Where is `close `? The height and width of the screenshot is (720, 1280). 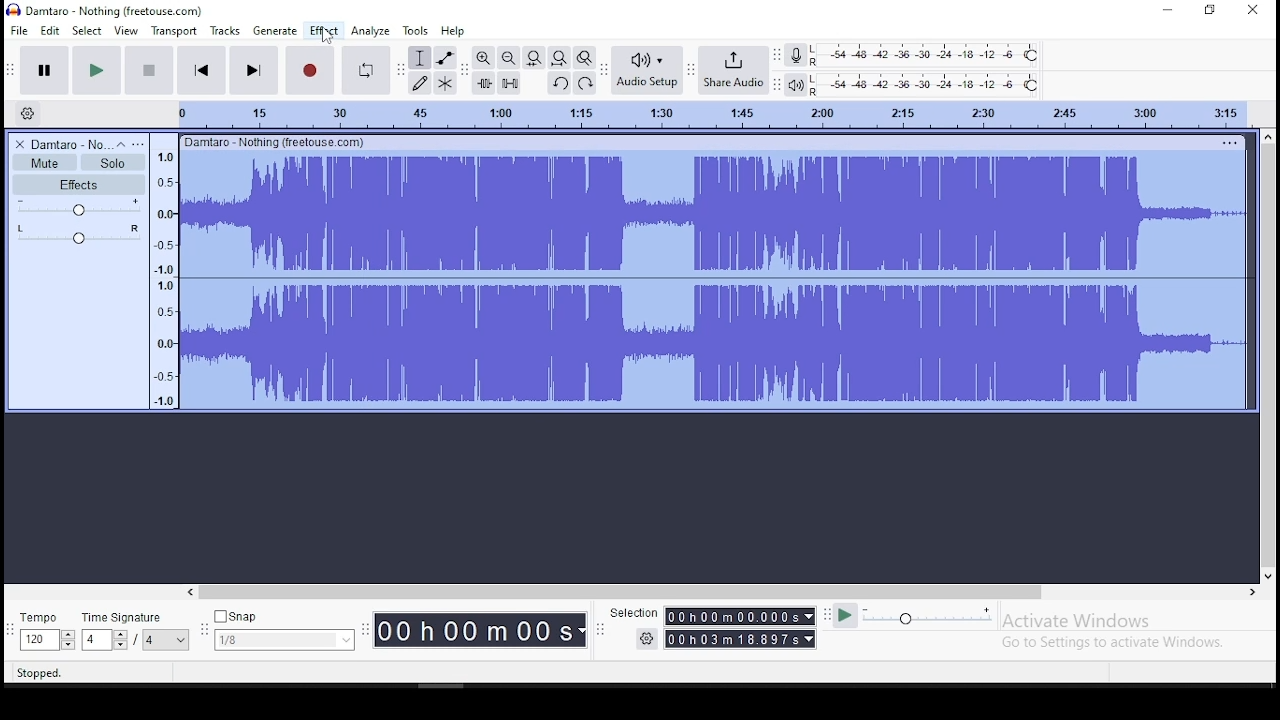
close  is located at coordinates (1250, 10).